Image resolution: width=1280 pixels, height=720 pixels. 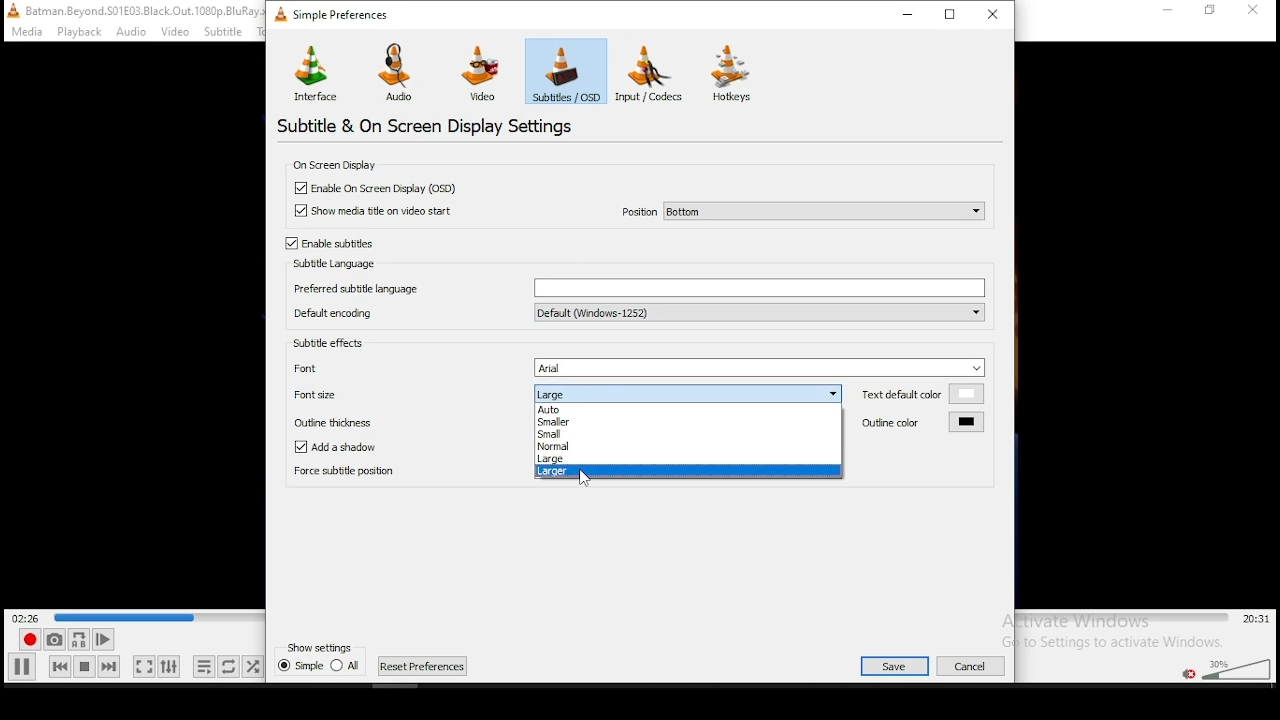 What do you see at coordinates (996, 13) in the screenshot?
I see `close window` at bounding box center [996, 13].